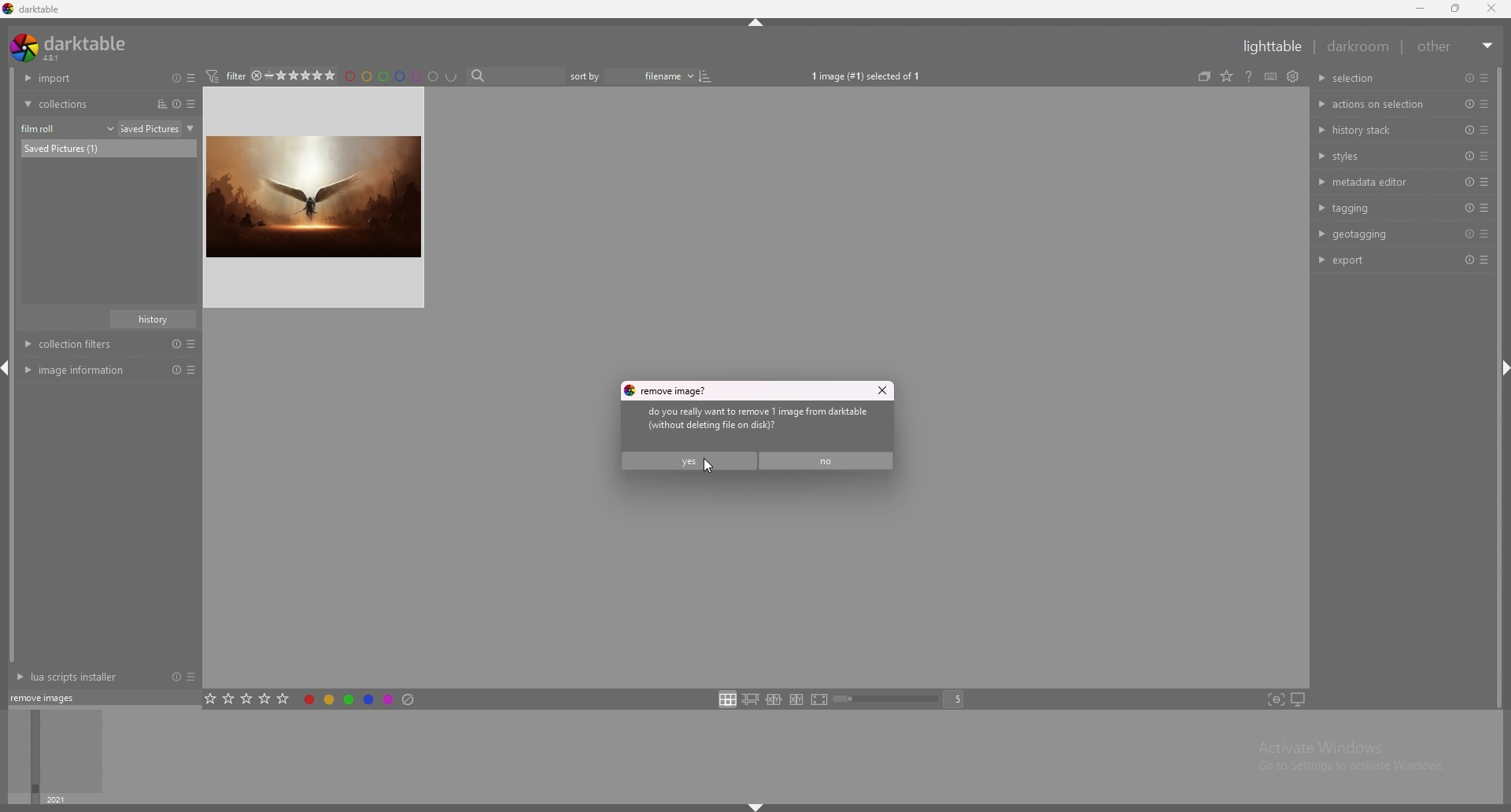 This screenshot has height=812, width=1511. I want to click on history stack, so click(1377, 129).